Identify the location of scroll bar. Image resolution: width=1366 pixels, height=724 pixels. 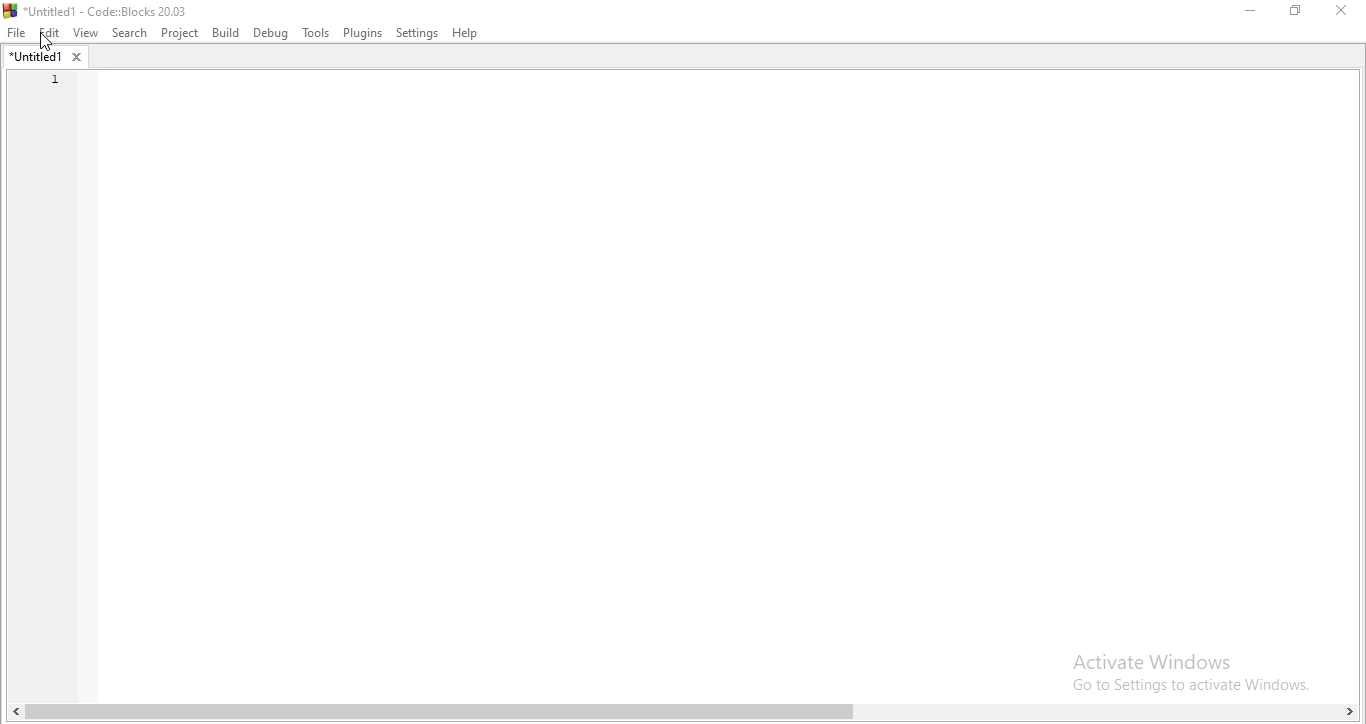
(683, 712).